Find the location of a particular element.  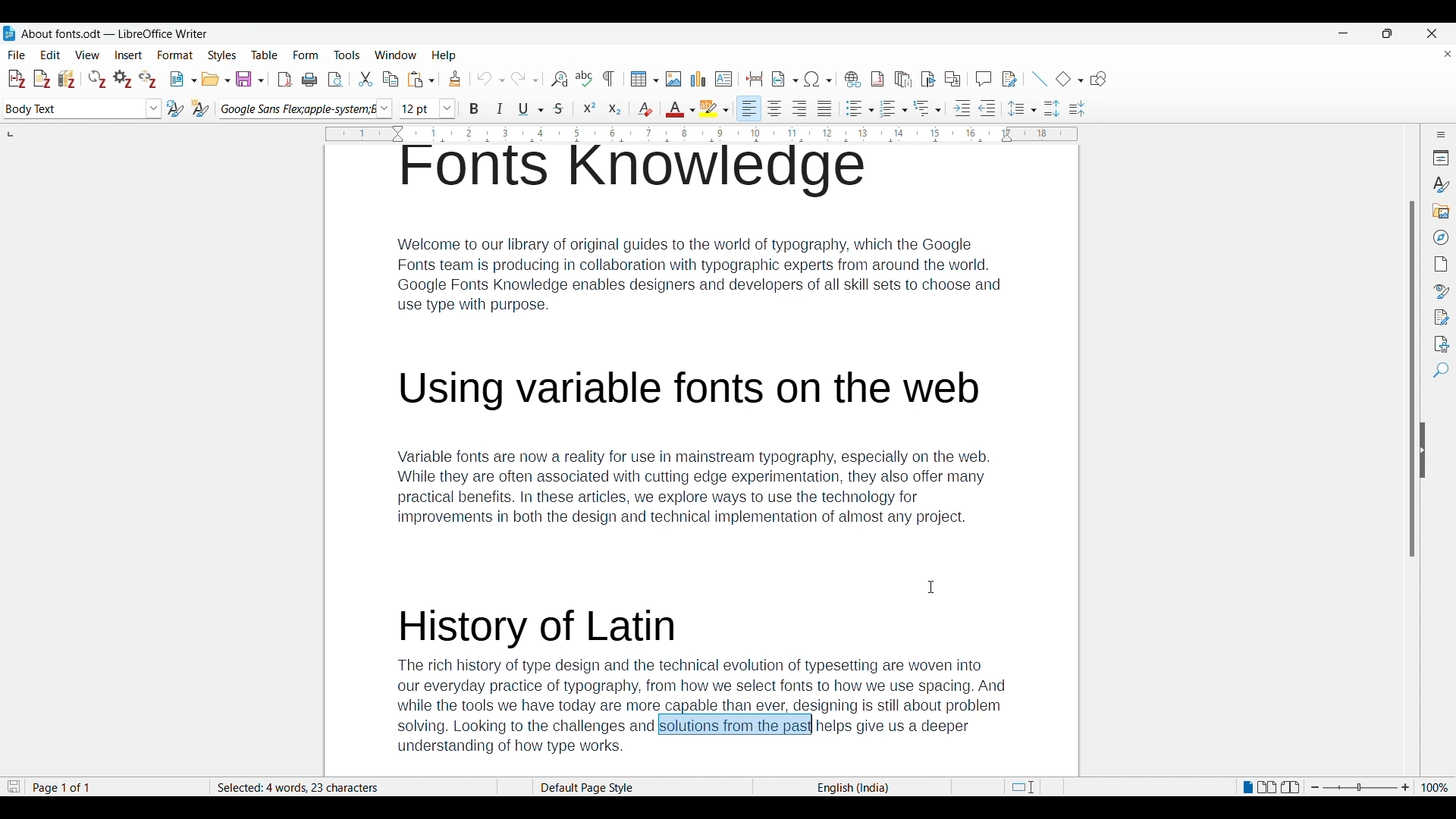

Update selected style is located at coordinates (176, 108).